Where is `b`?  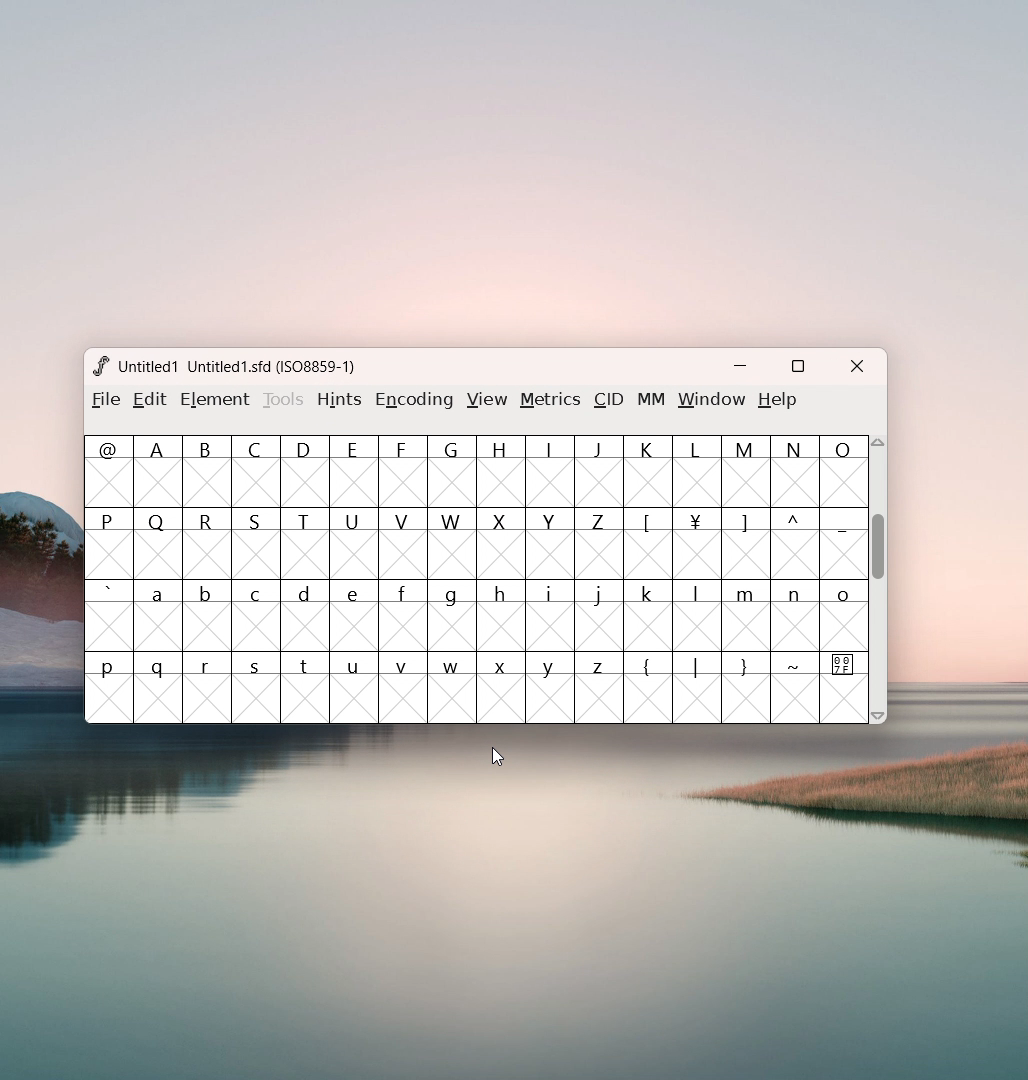
b is located at coordinates (208, 616).